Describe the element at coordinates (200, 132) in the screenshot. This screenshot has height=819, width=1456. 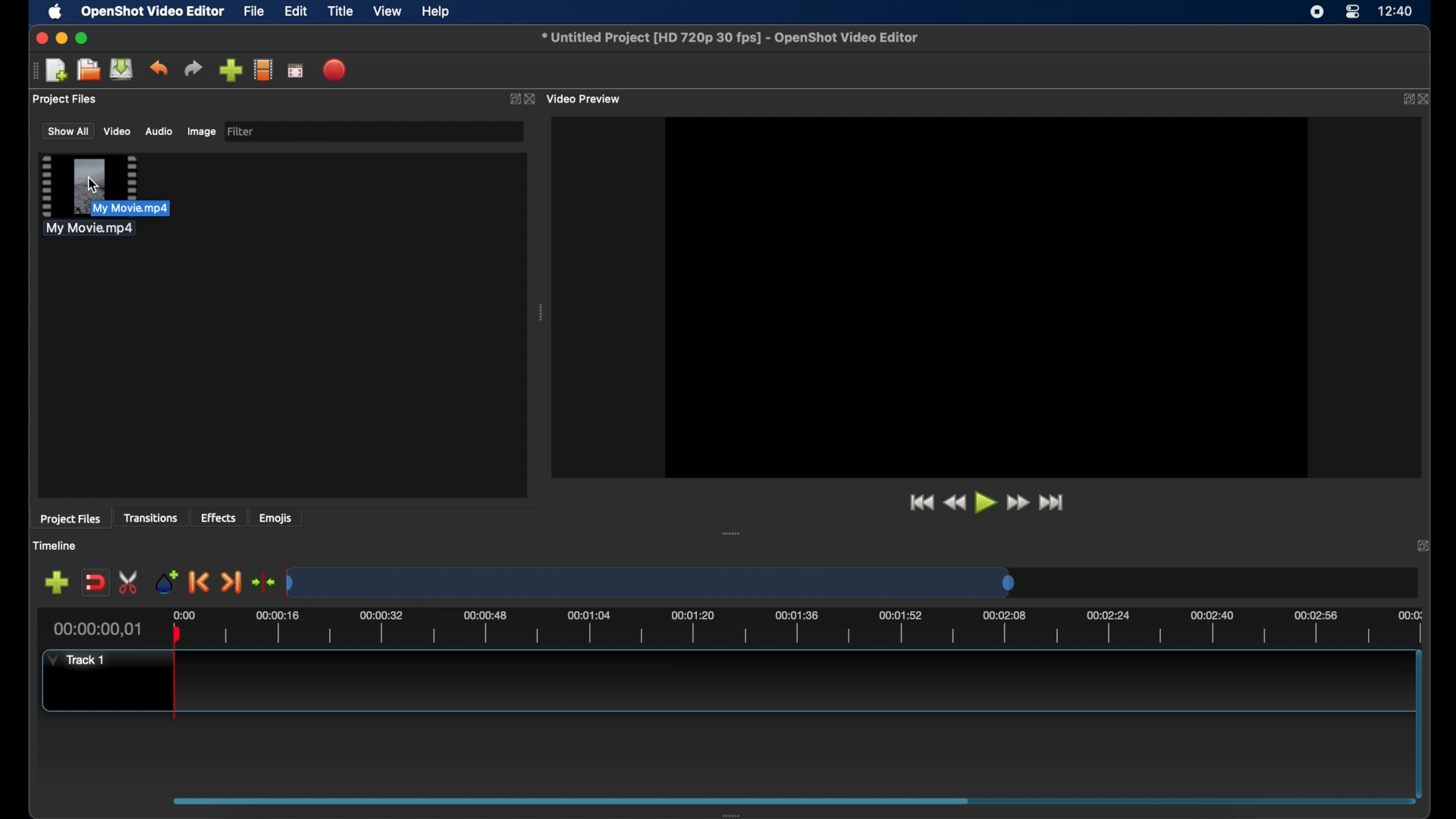
I see `image` at that location.